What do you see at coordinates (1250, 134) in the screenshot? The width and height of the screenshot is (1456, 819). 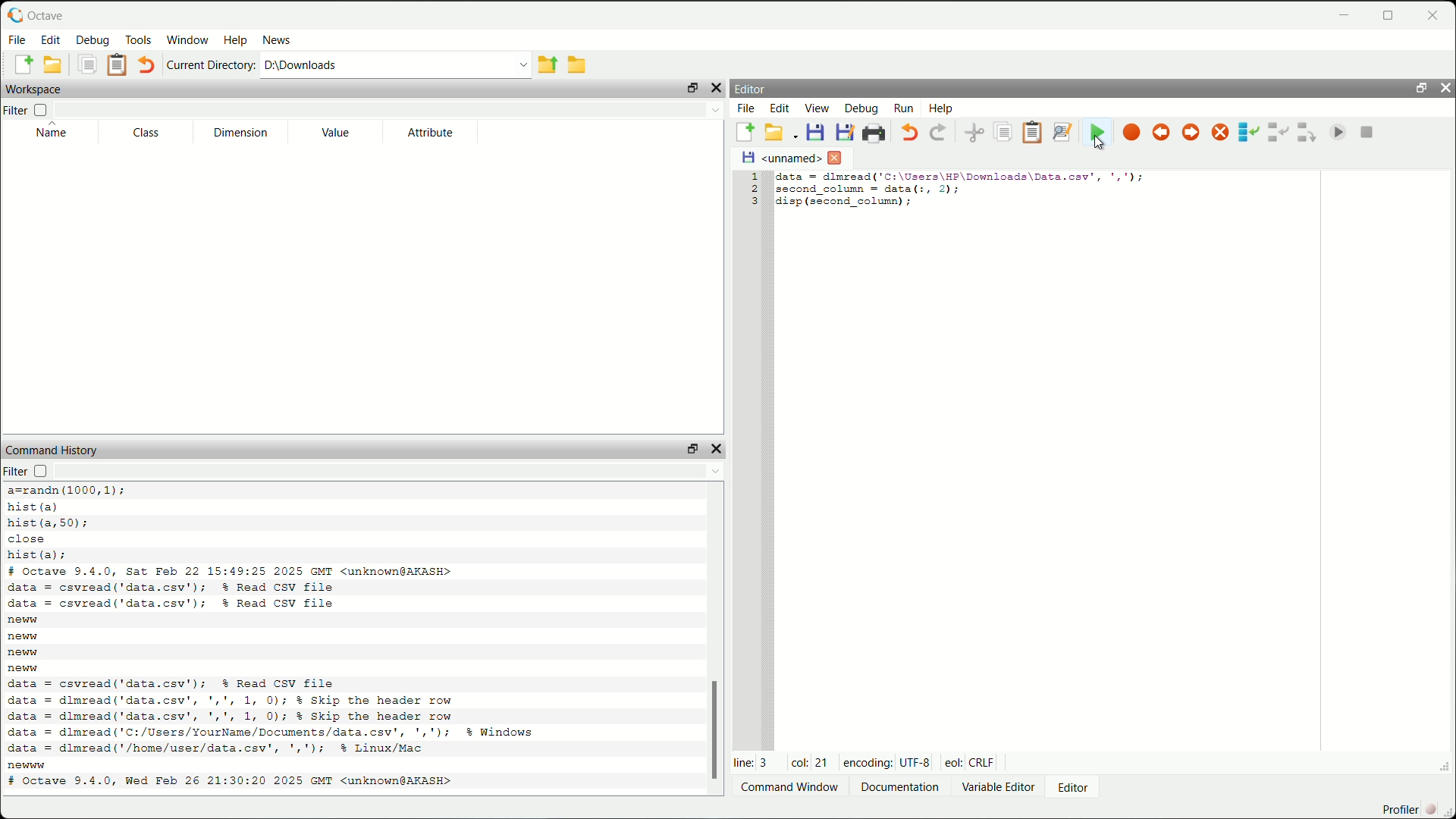 I see `step` at bounding box center [1250, 134].